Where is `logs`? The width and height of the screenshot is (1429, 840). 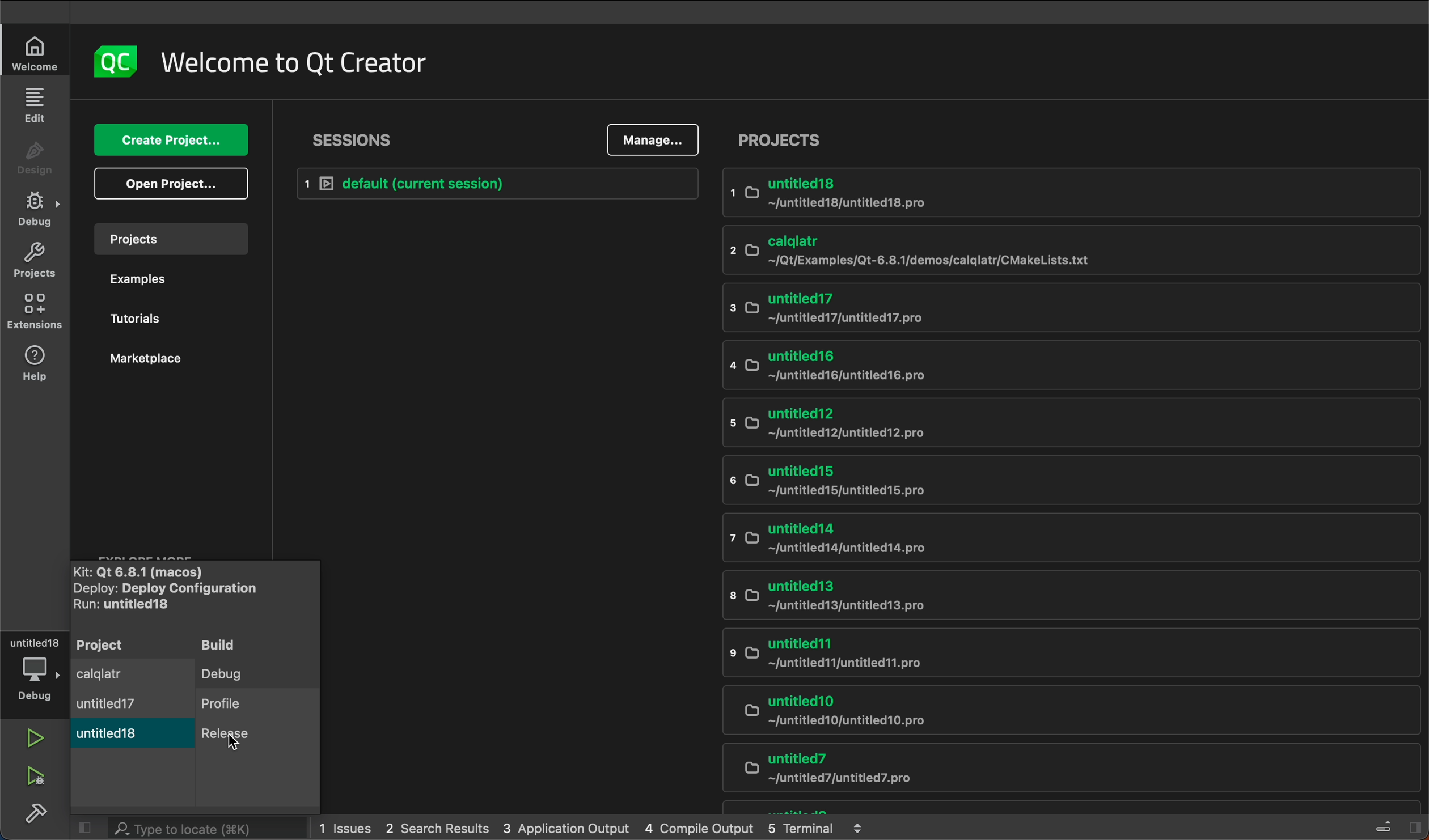
logs is located at coordinates (597, 826).